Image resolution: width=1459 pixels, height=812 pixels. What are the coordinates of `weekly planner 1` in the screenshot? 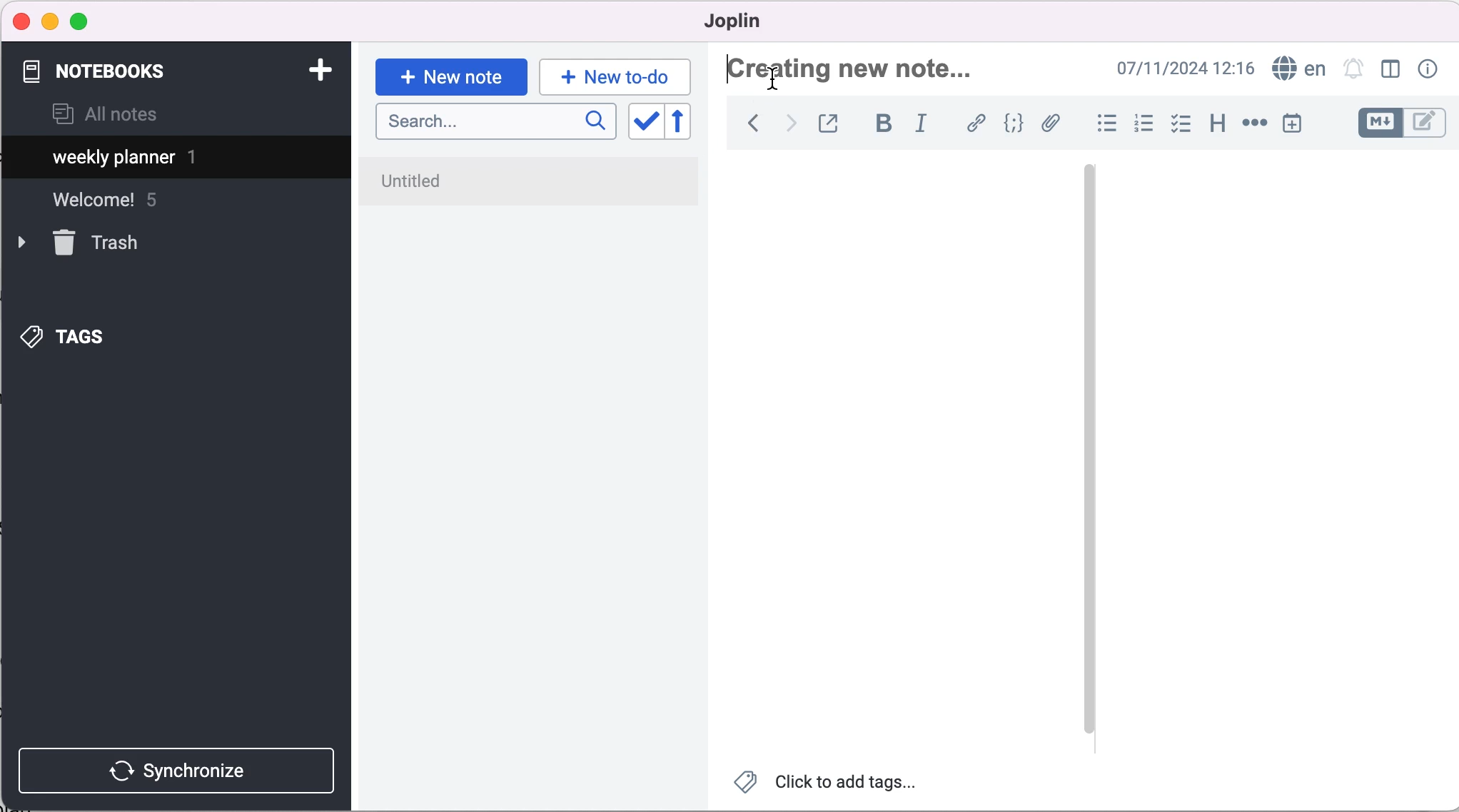 It's located at (164, 159).